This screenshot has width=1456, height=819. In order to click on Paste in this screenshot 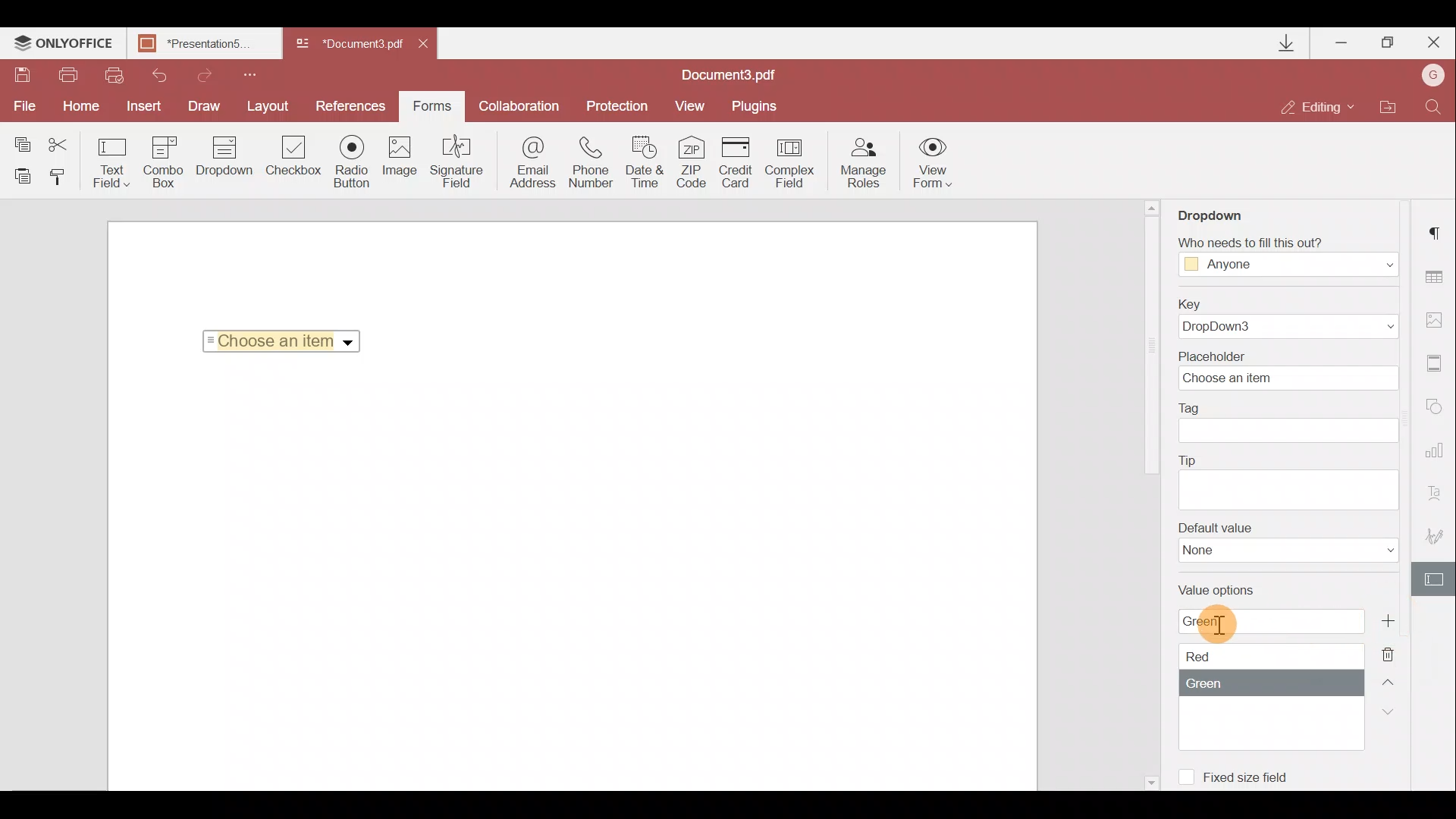, I will do `click(21, 178)`.